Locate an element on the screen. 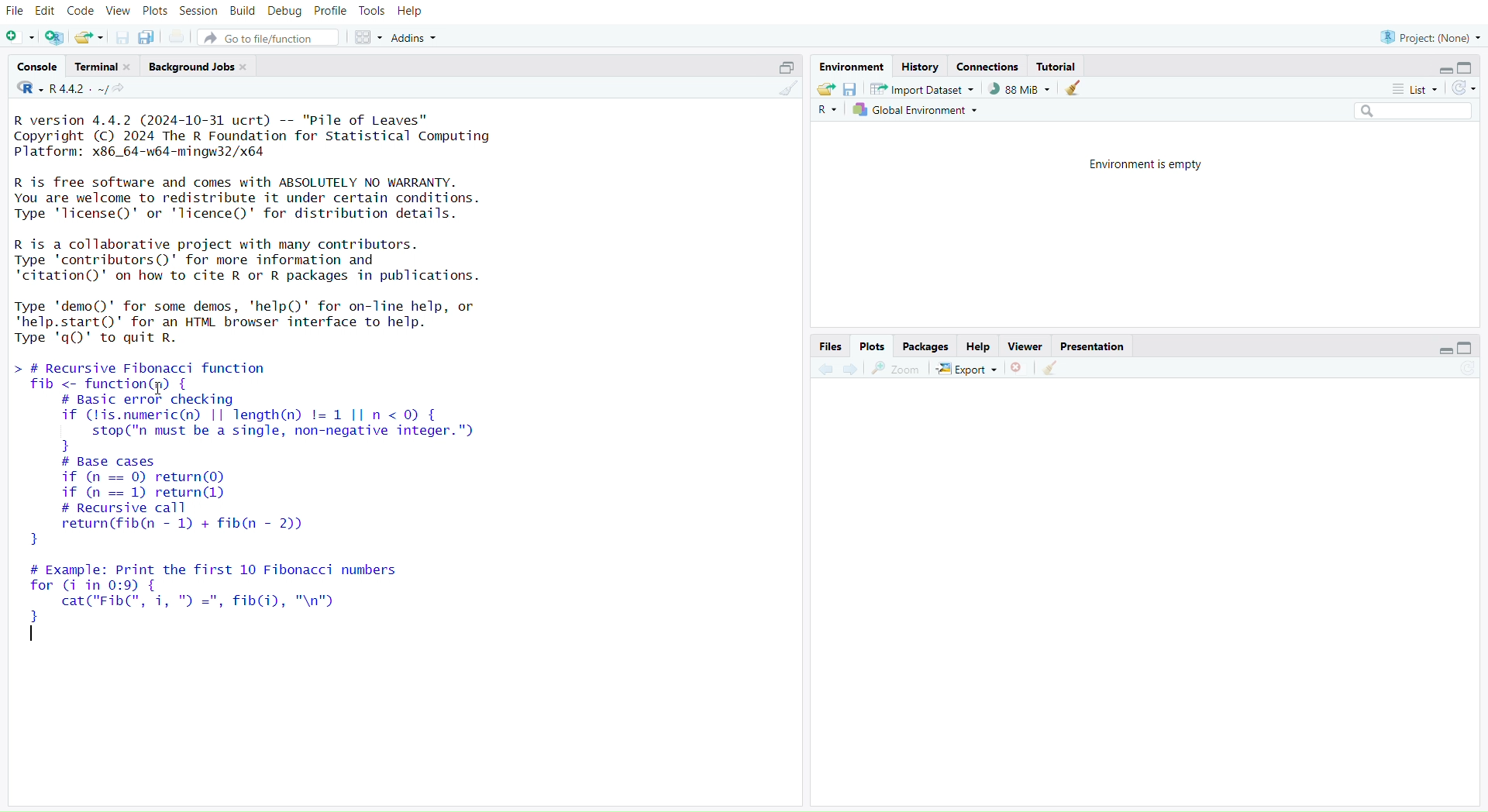 Image resolution: width=1488 pixels, height=812 pixels. clear all objects is located at coordinates (1073, 89).